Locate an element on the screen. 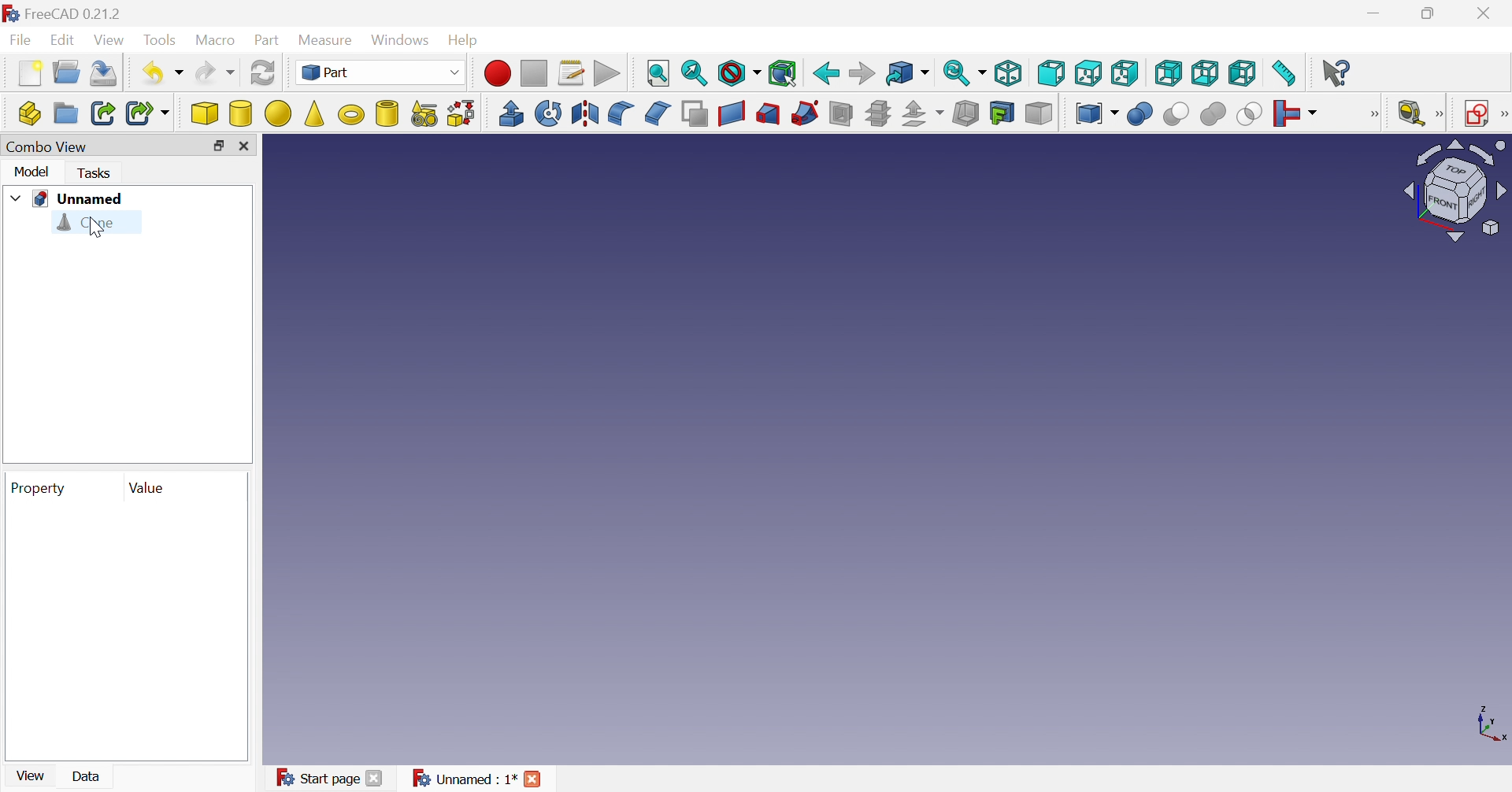 The height and width of the screenshot is (792, 1512). Fillet is located at coordinates (622, 115).